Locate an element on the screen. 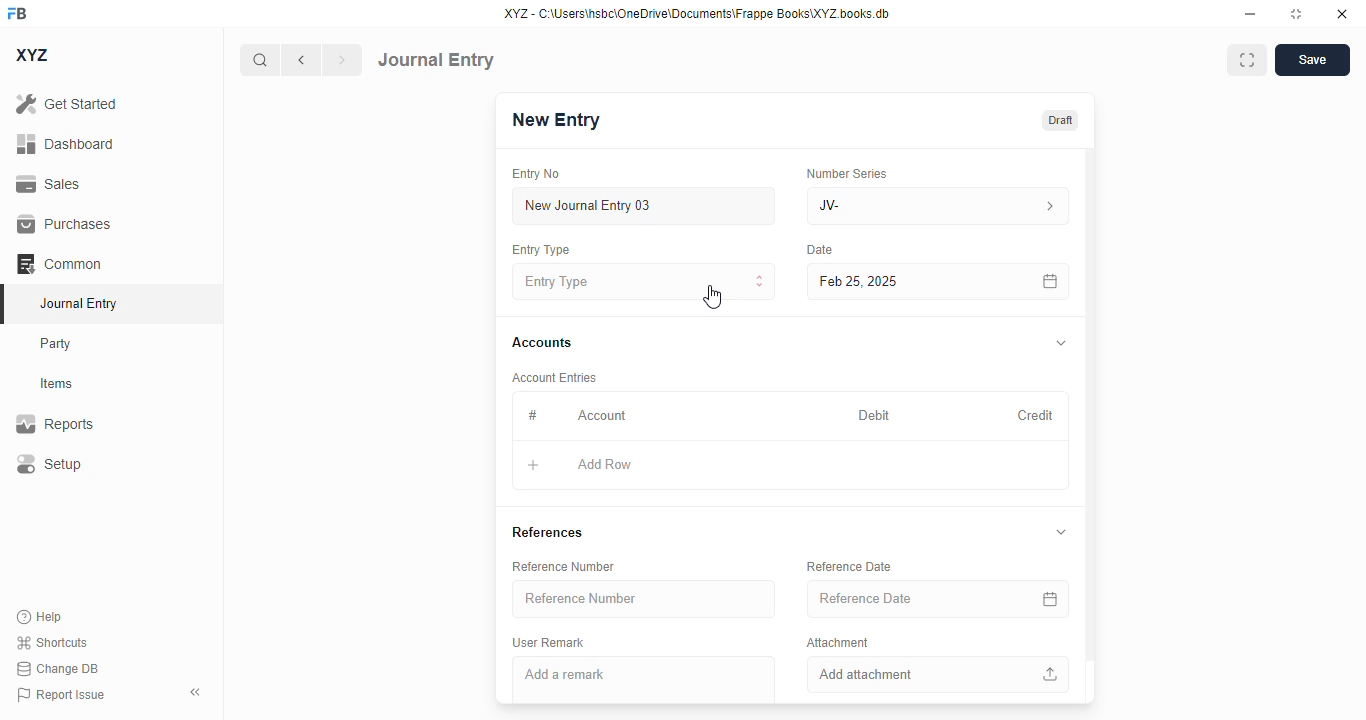 The width and height of the screenshot is (1366, 720). # is located at coordinates (532, 416).